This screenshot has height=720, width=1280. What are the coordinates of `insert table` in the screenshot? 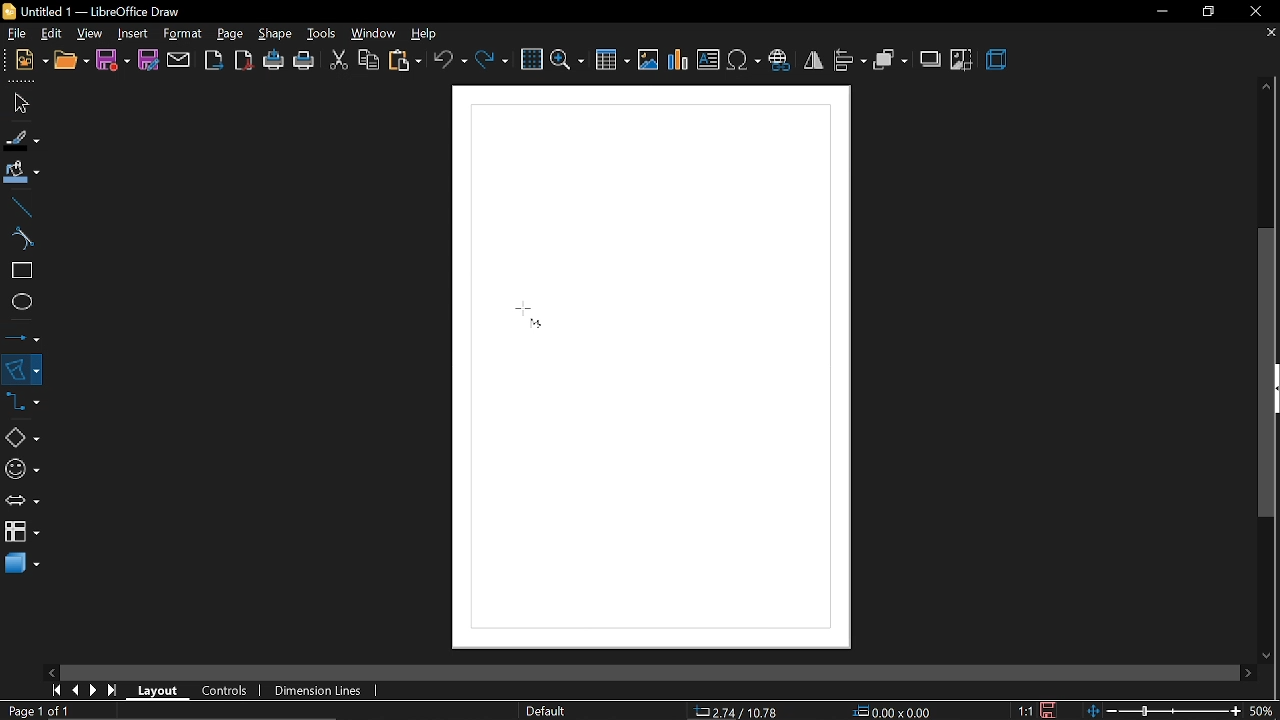 It's located at (612, 59).